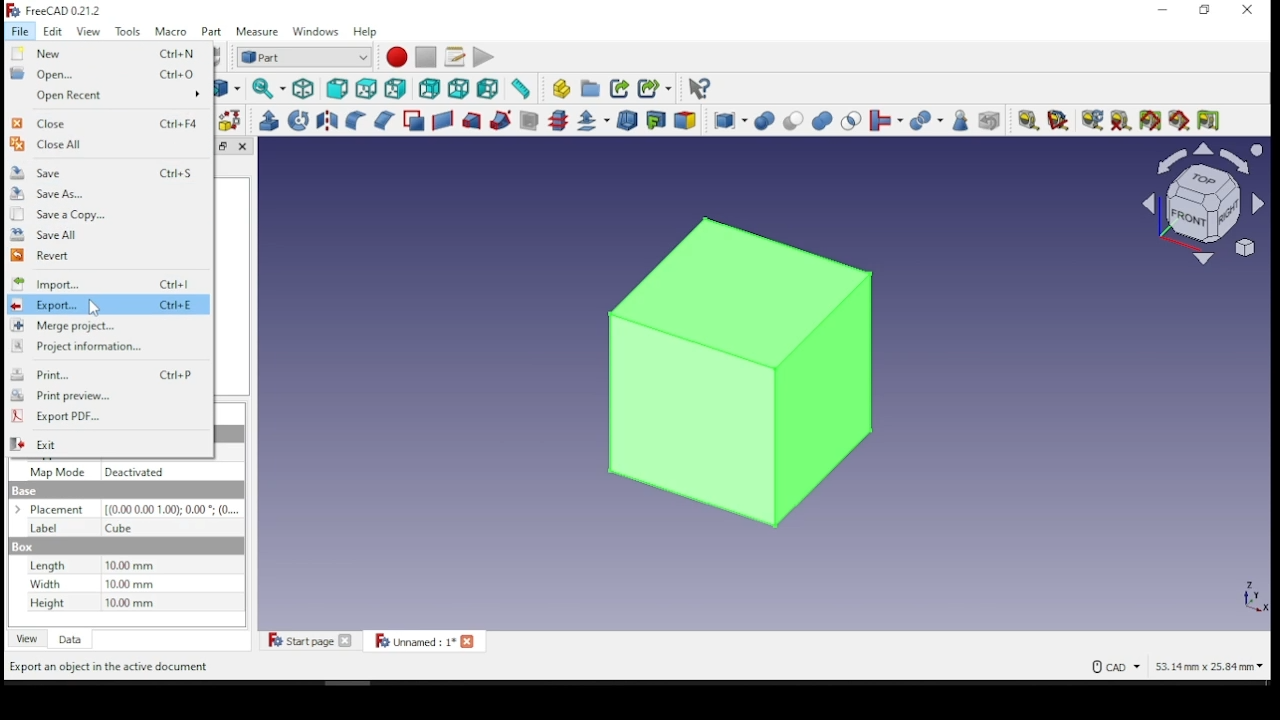  What do you see at coordinates (1150, 121) in the screenshot?
I see `toggle all` at bounding box center [1150, 121].